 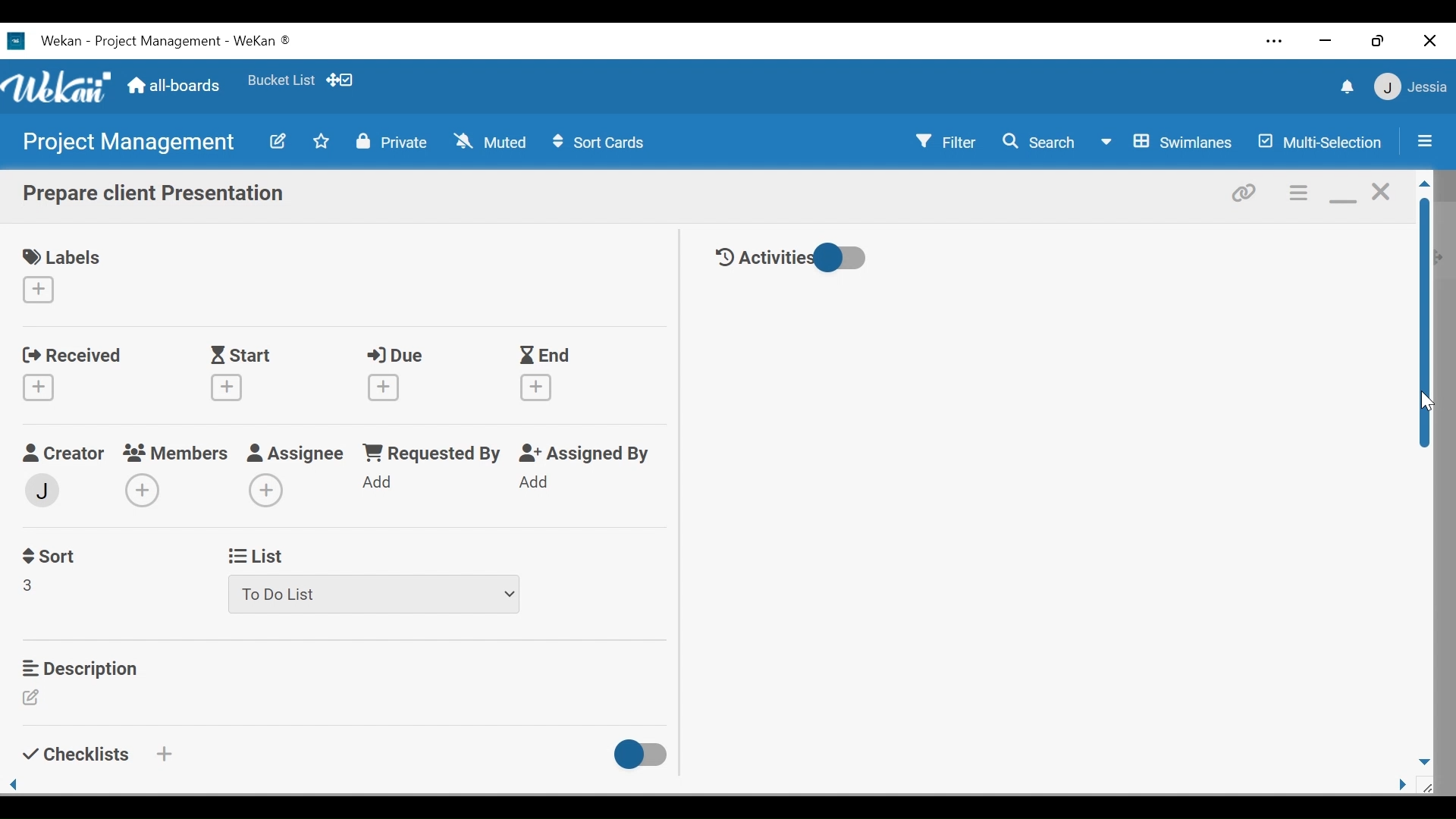 What do you see at coordinates (849, 257) in the screenshot?
I see `Toggle show/hide activities` at bounding box center [849, 257].